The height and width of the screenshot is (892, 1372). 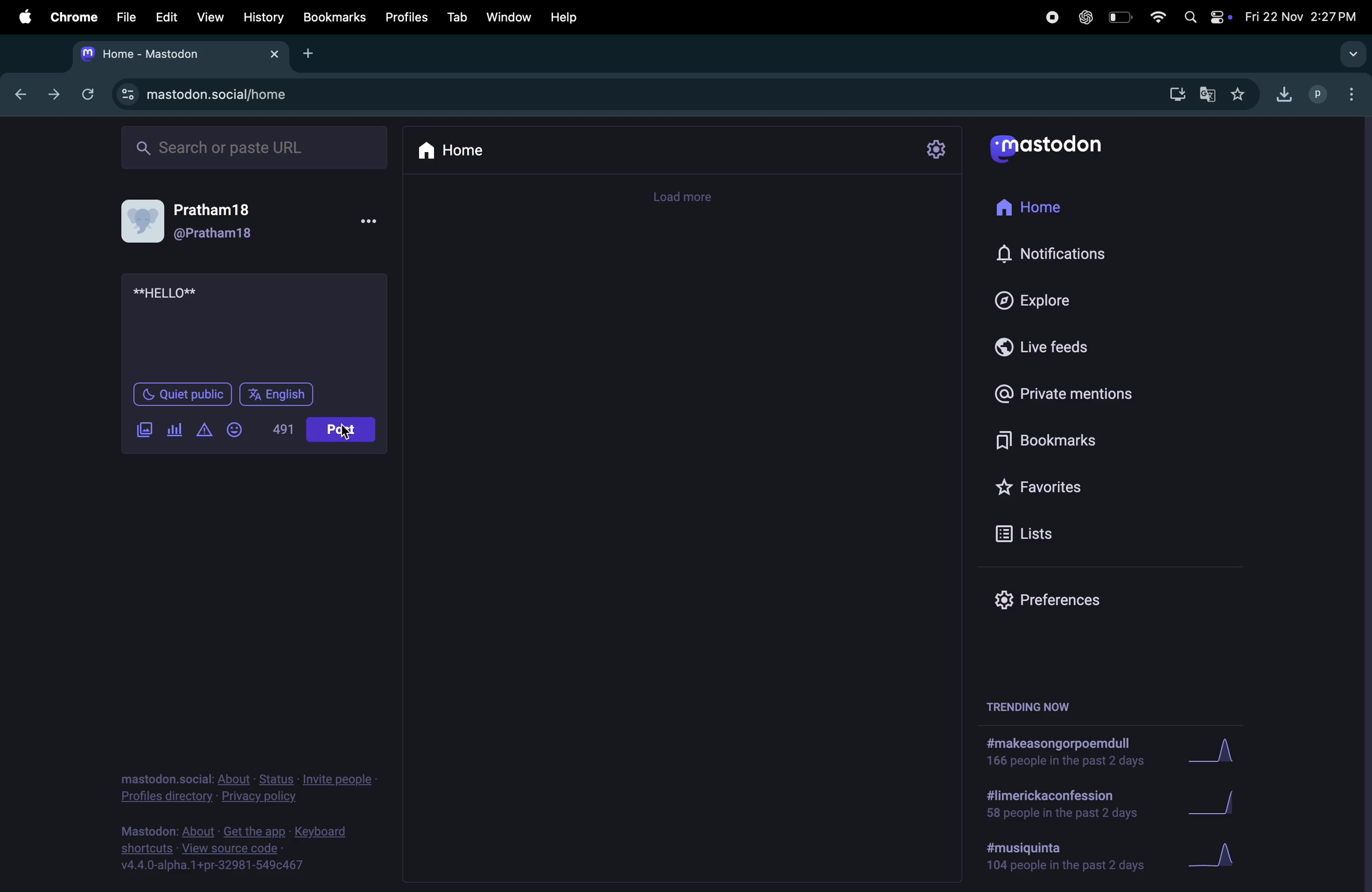 What do you see at coordinates (1053, 149) in the screenshot?
I see `mastodon` at bounding box center [1053, 149].